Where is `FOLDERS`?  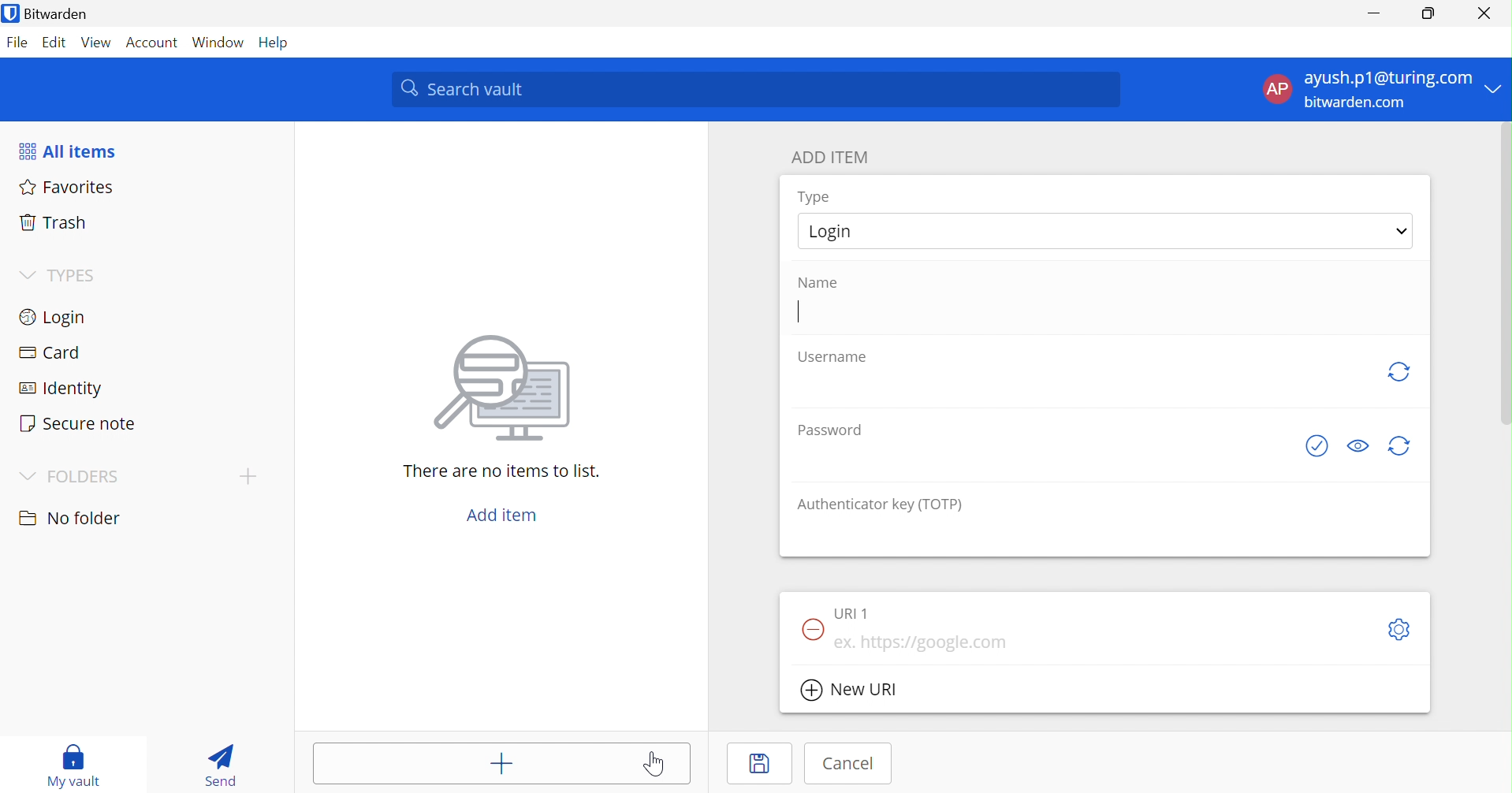 FOLDERS is located at coordinates (67, 478).